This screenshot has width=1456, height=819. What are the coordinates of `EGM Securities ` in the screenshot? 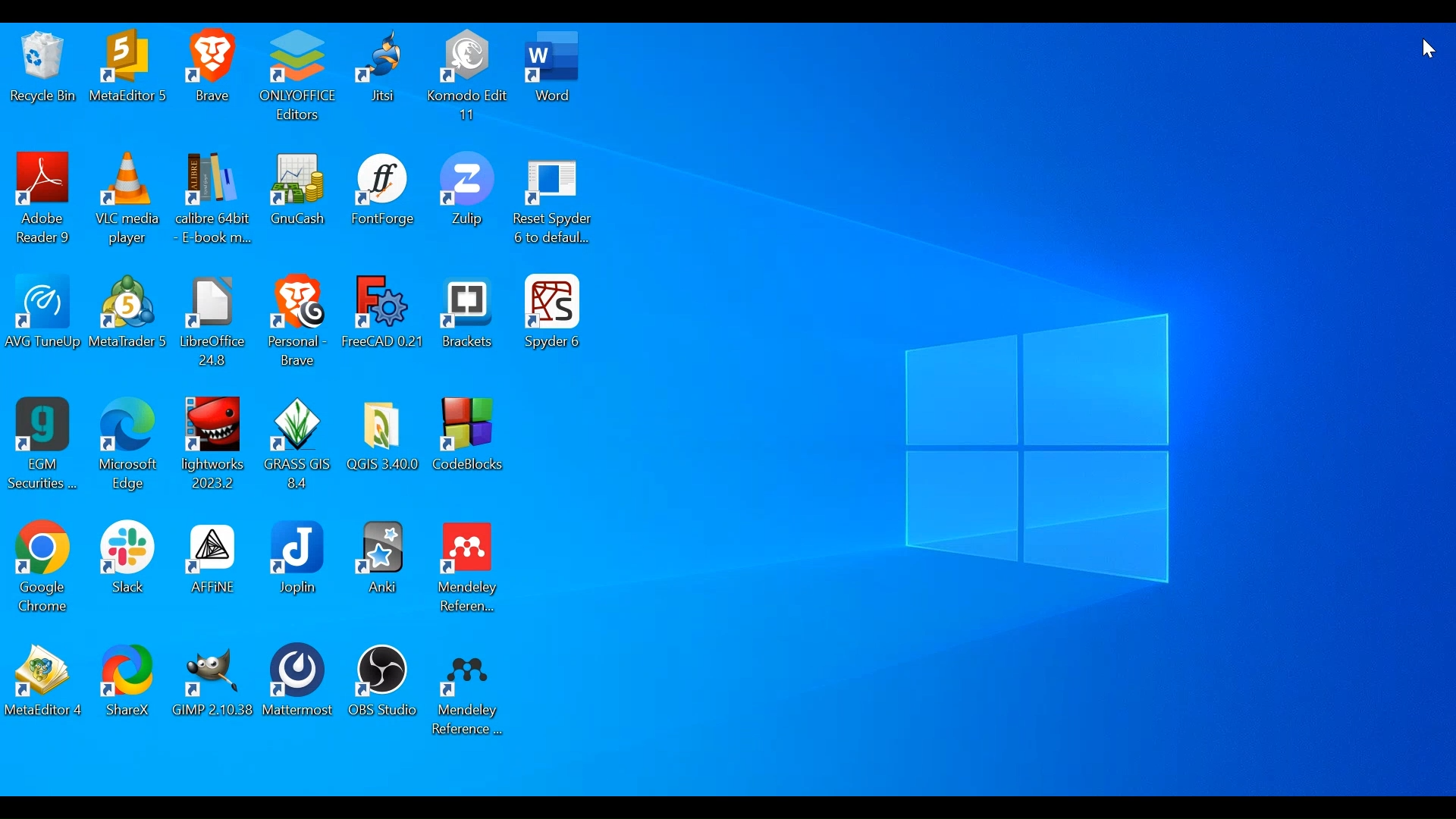 It's located at (42, 447).